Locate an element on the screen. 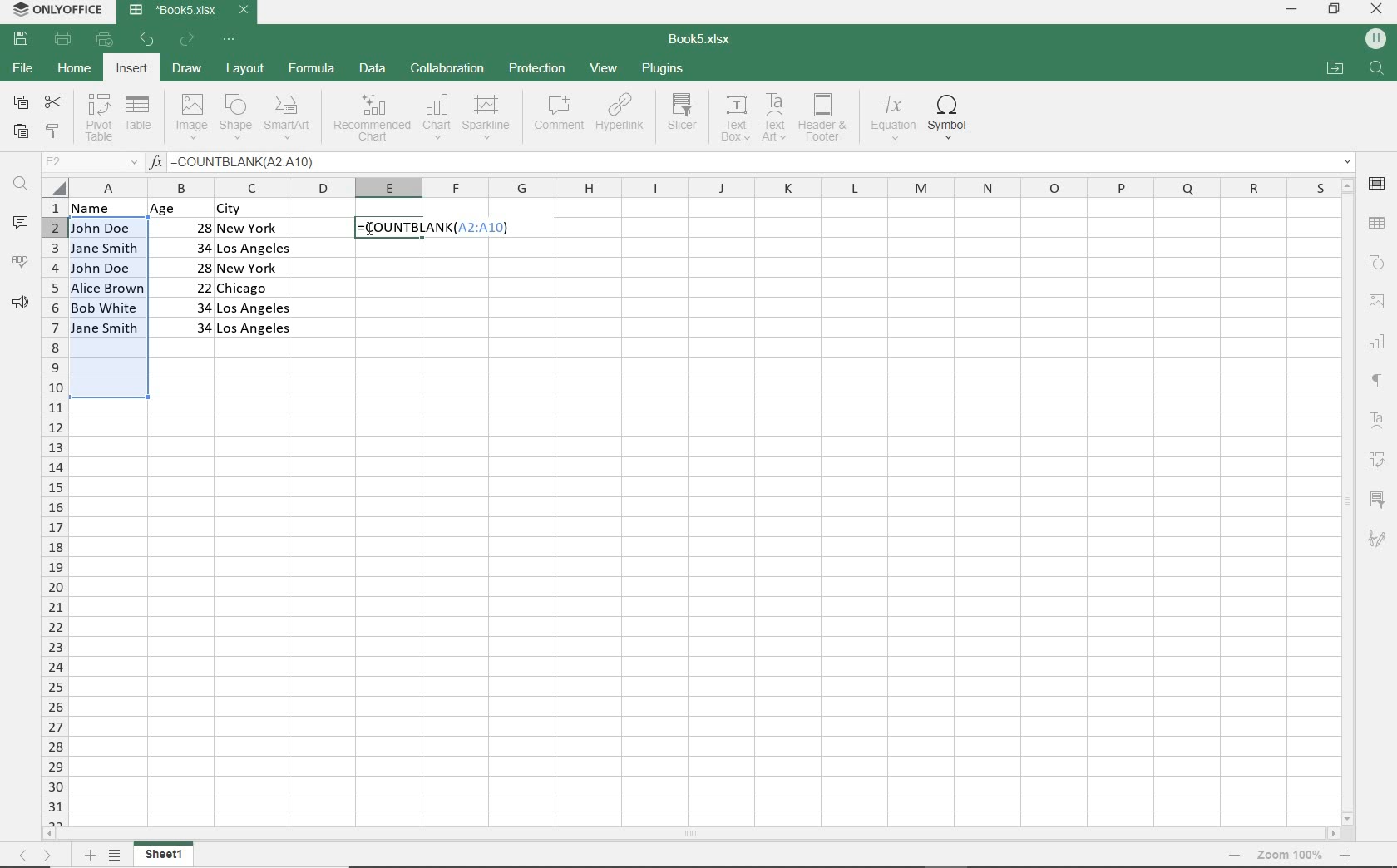  IMAGE is located at coordinates (1377, 302).